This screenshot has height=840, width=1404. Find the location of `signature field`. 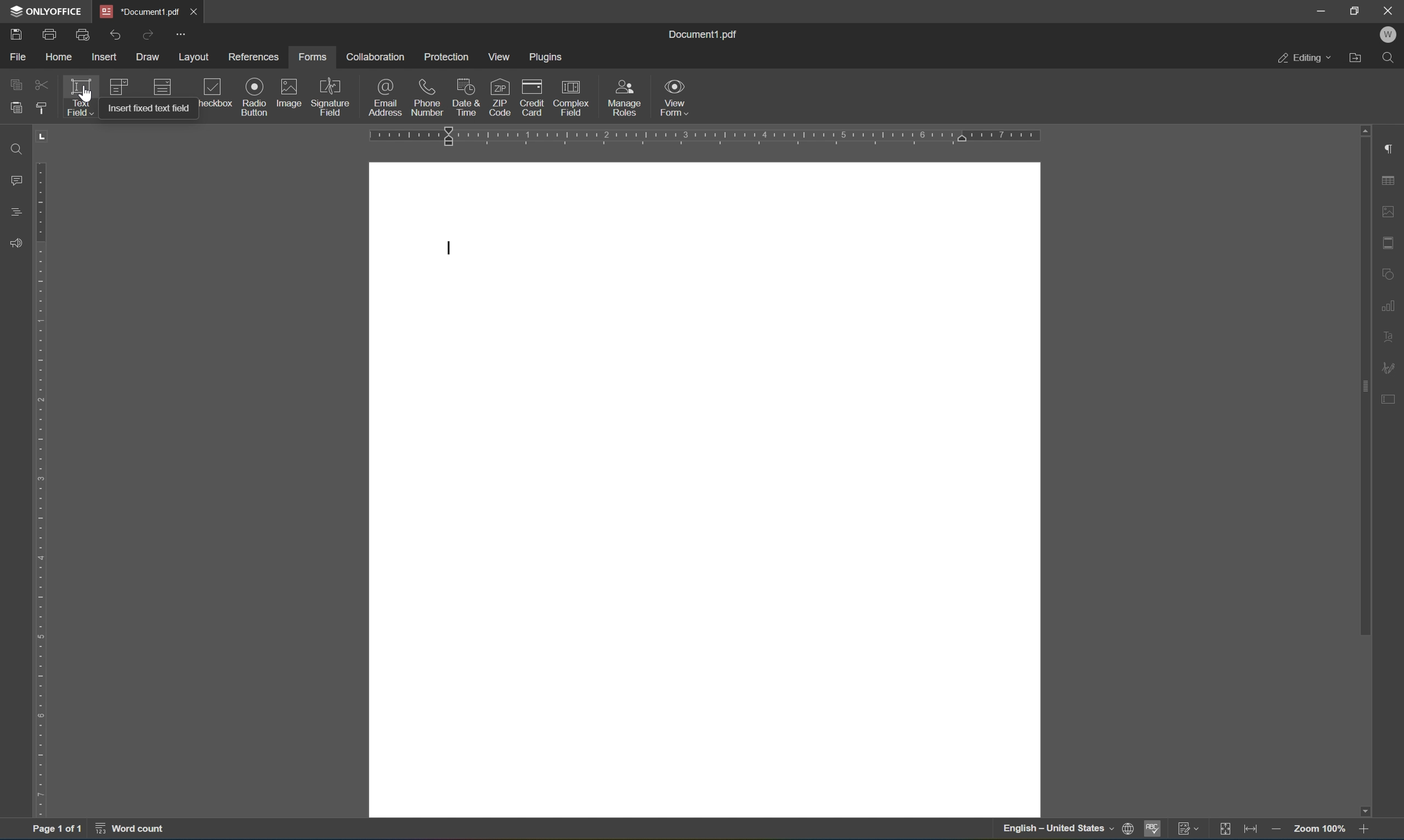

signature field is located at coordinates (331, 97).